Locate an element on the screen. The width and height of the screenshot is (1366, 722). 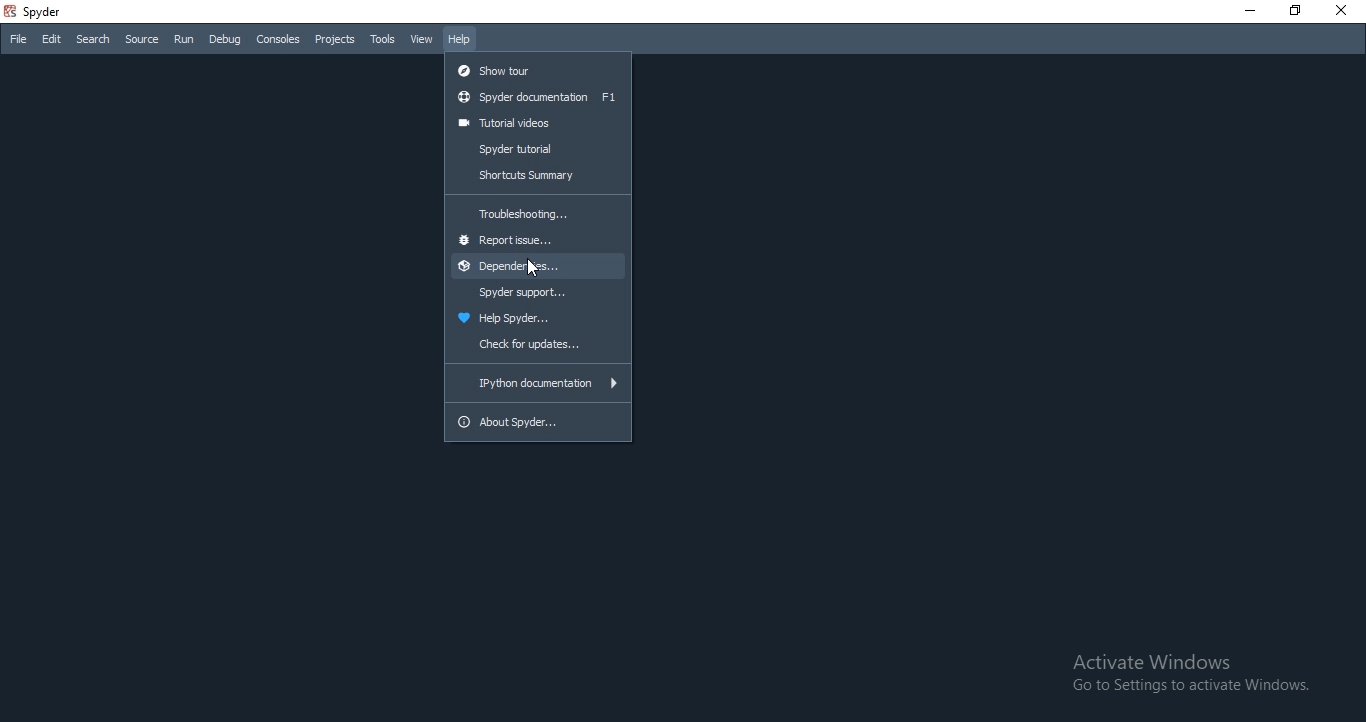
cursor is located at coordinates (535, 268).